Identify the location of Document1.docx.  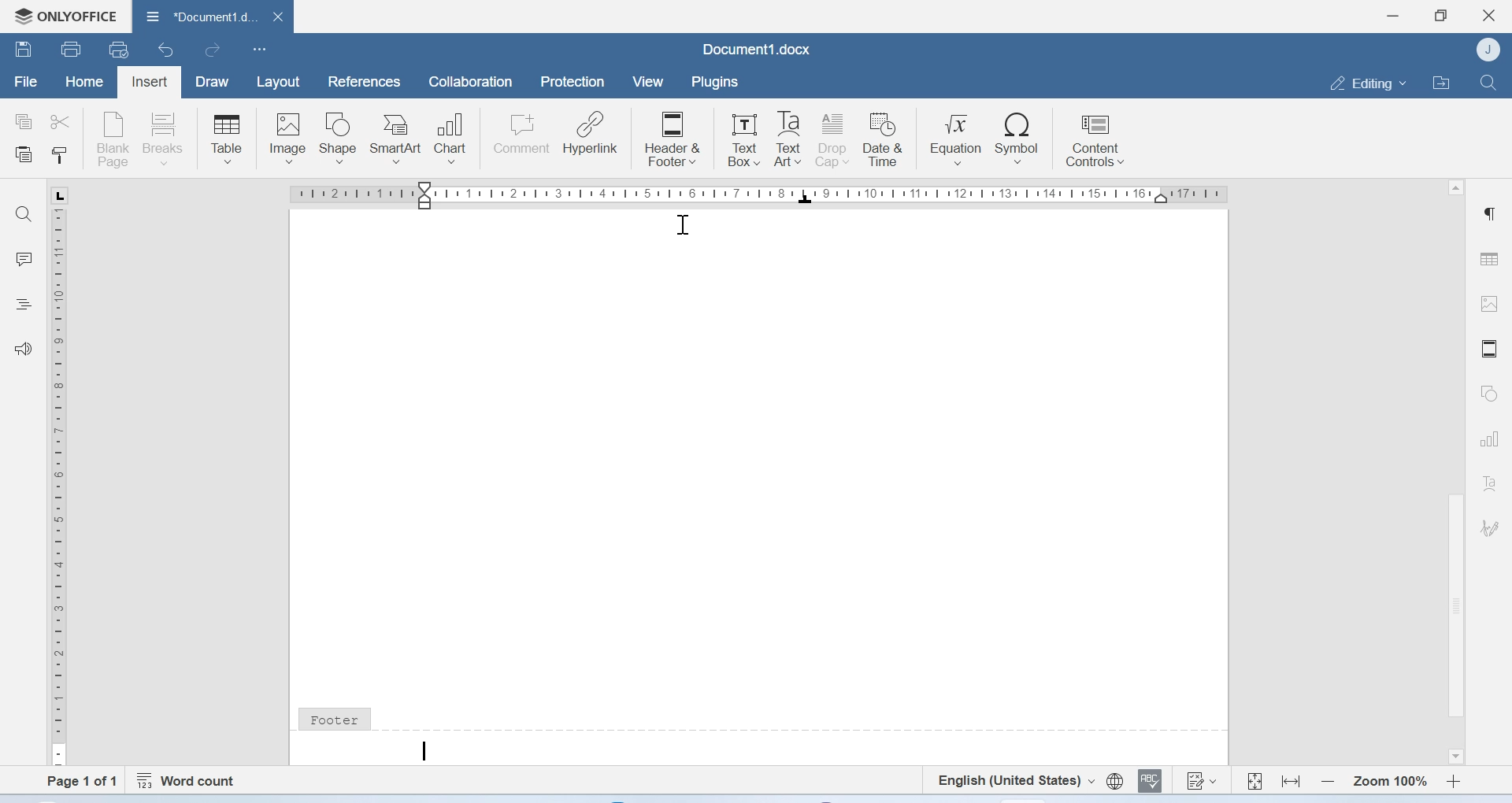
(213, 18).